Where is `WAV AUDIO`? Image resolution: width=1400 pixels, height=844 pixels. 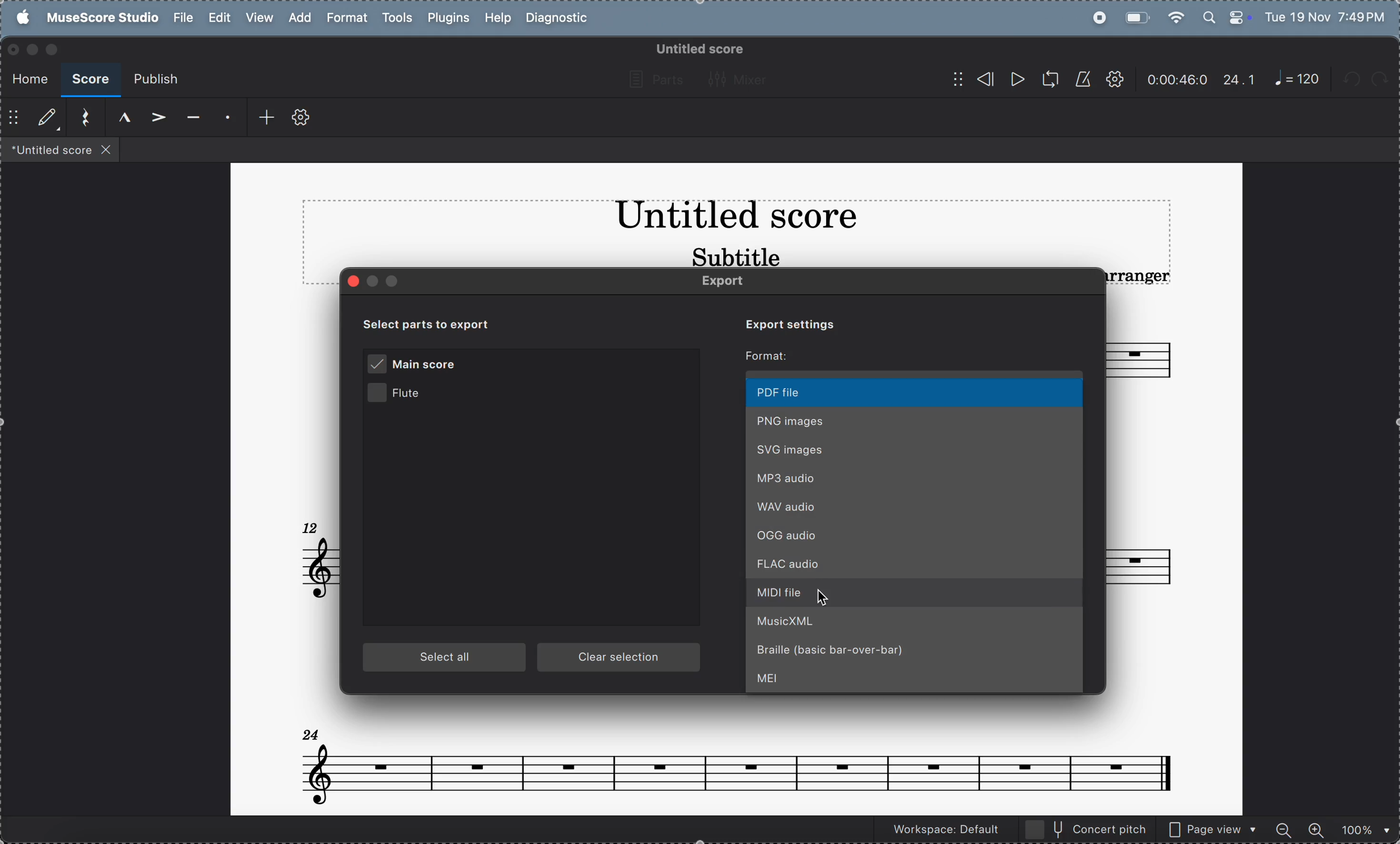 WAV AUDIO is located at coordinates (915, 508).